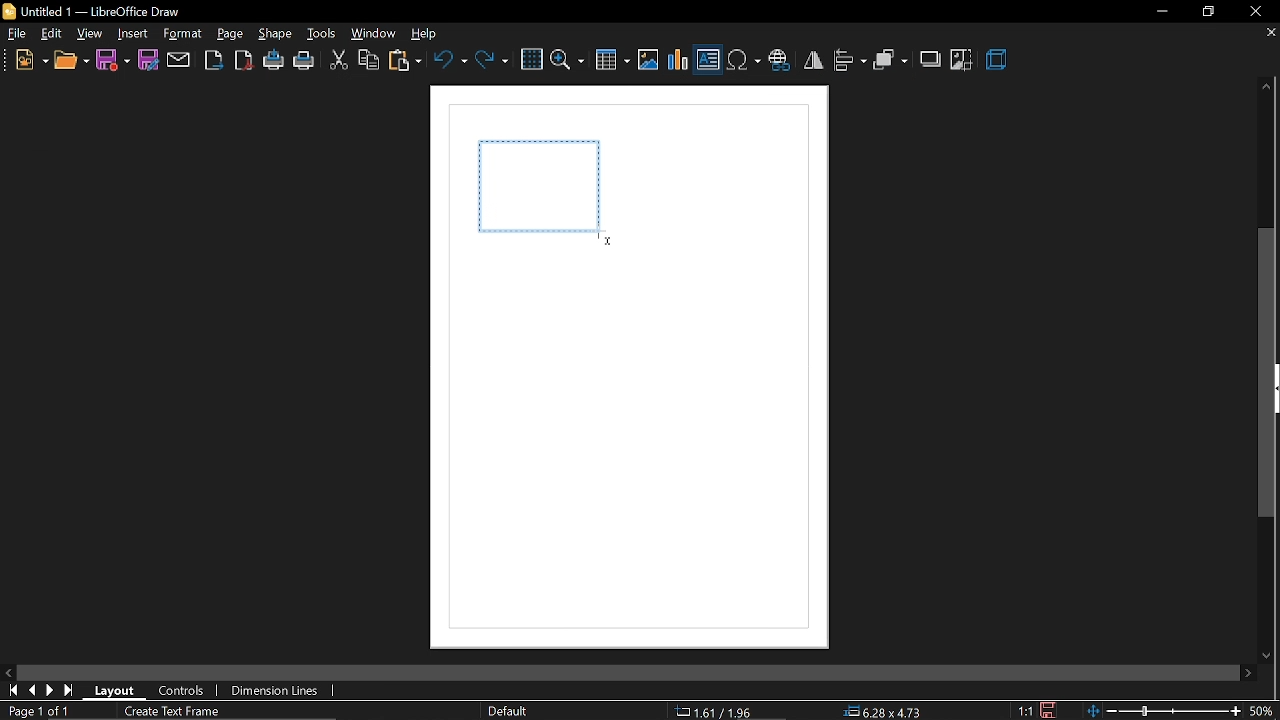 This screenshot has width=1280, height=720. I want to click on arrange, so click(891, 62).